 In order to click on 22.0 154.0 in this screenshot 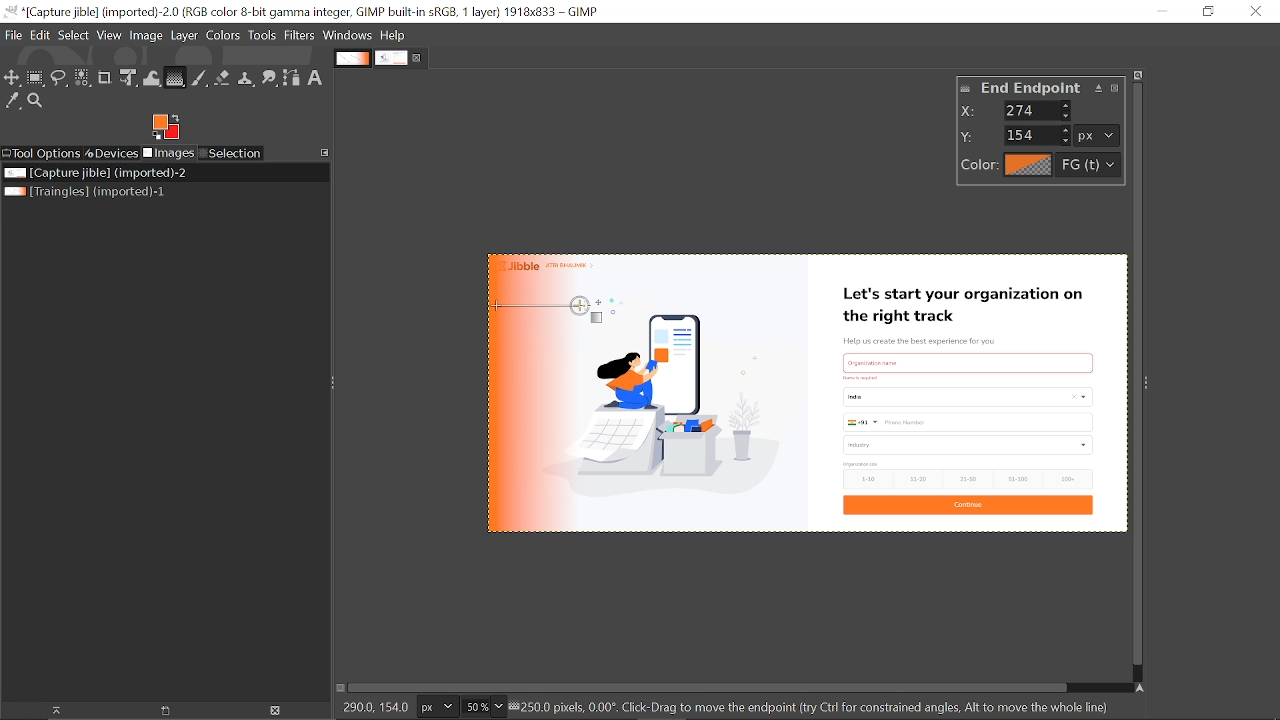, I will do `click(383, 705)`.